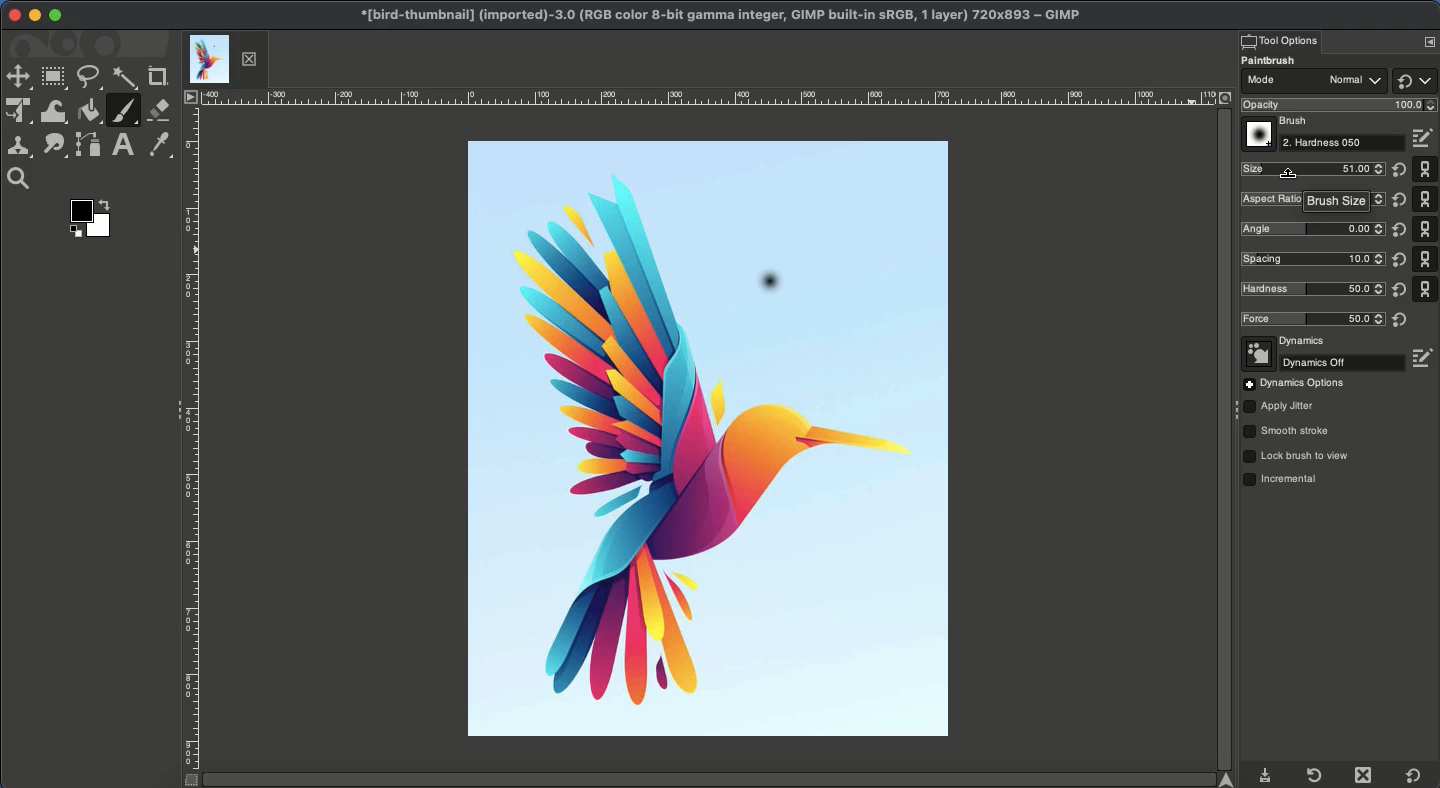 The height and width of the screenshot is (788, 1440). What do you see at coordinates (95, 218) in the screenshot?
I see `Color` at bounding box center [95, 218].